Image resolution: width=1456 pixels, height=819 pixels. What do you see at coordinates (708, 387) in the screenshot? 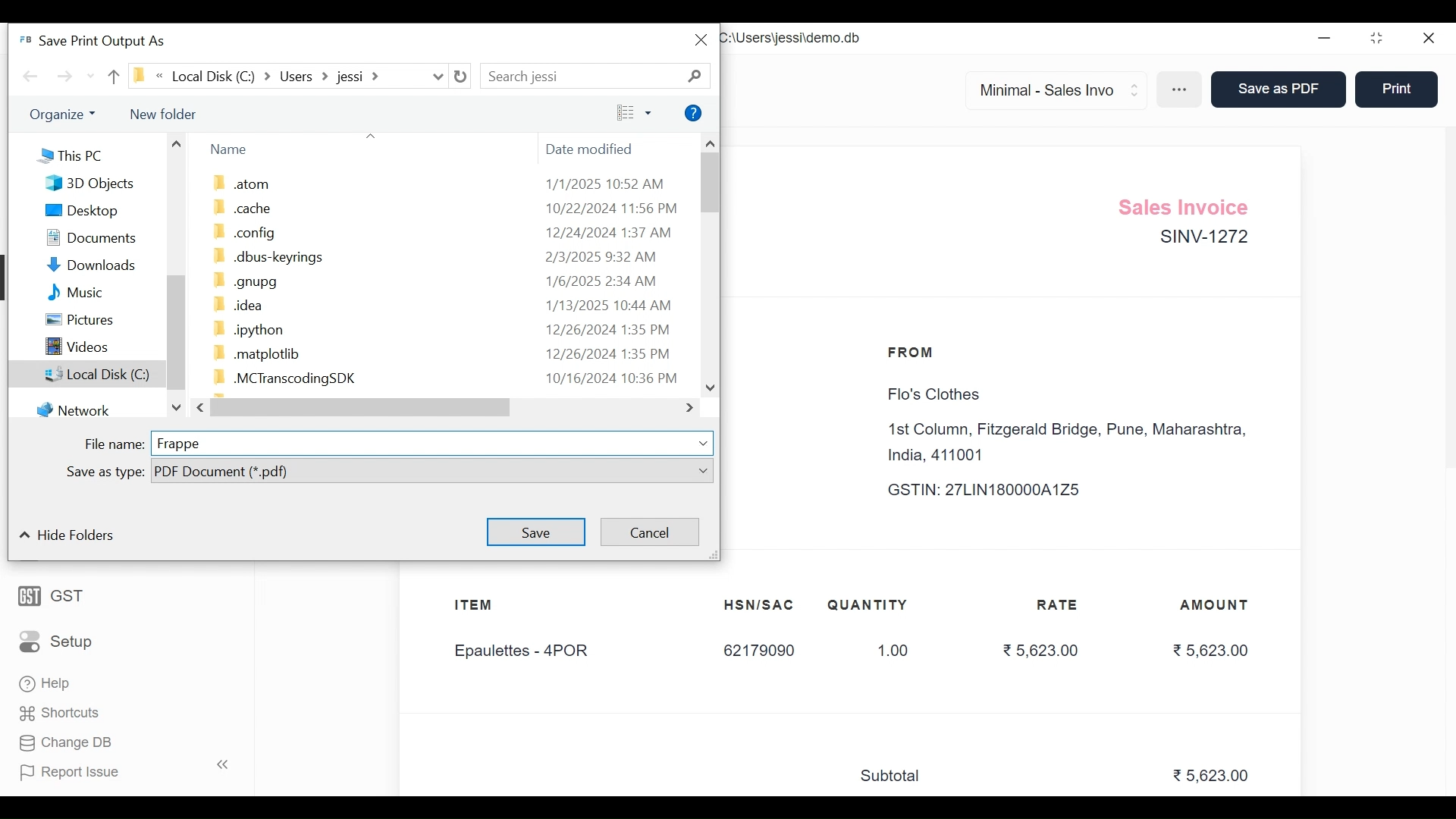
I see `Scroll down` at bounding box center [708, 387].